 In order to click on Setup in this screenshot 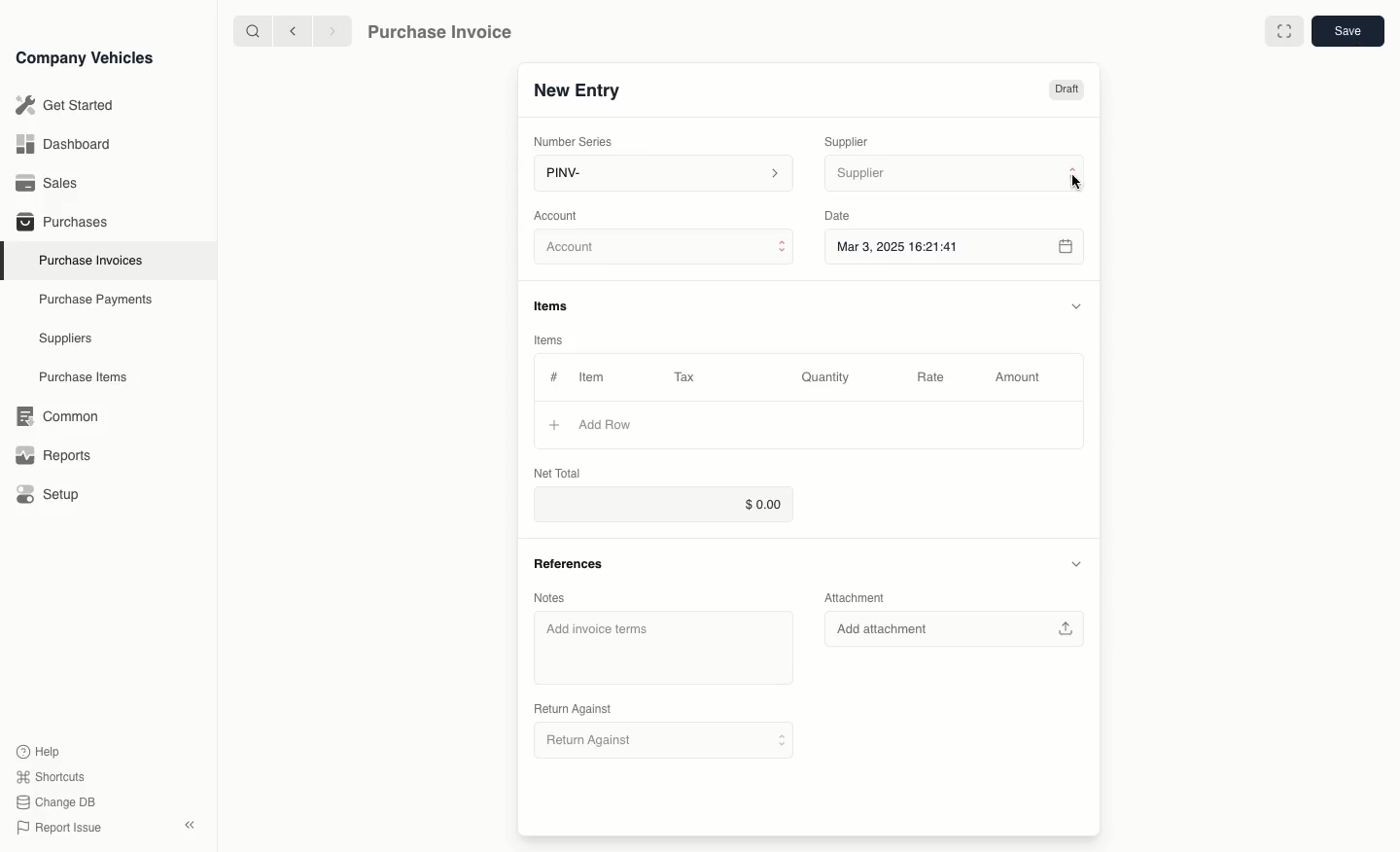, I will do `click(52, 495)`.